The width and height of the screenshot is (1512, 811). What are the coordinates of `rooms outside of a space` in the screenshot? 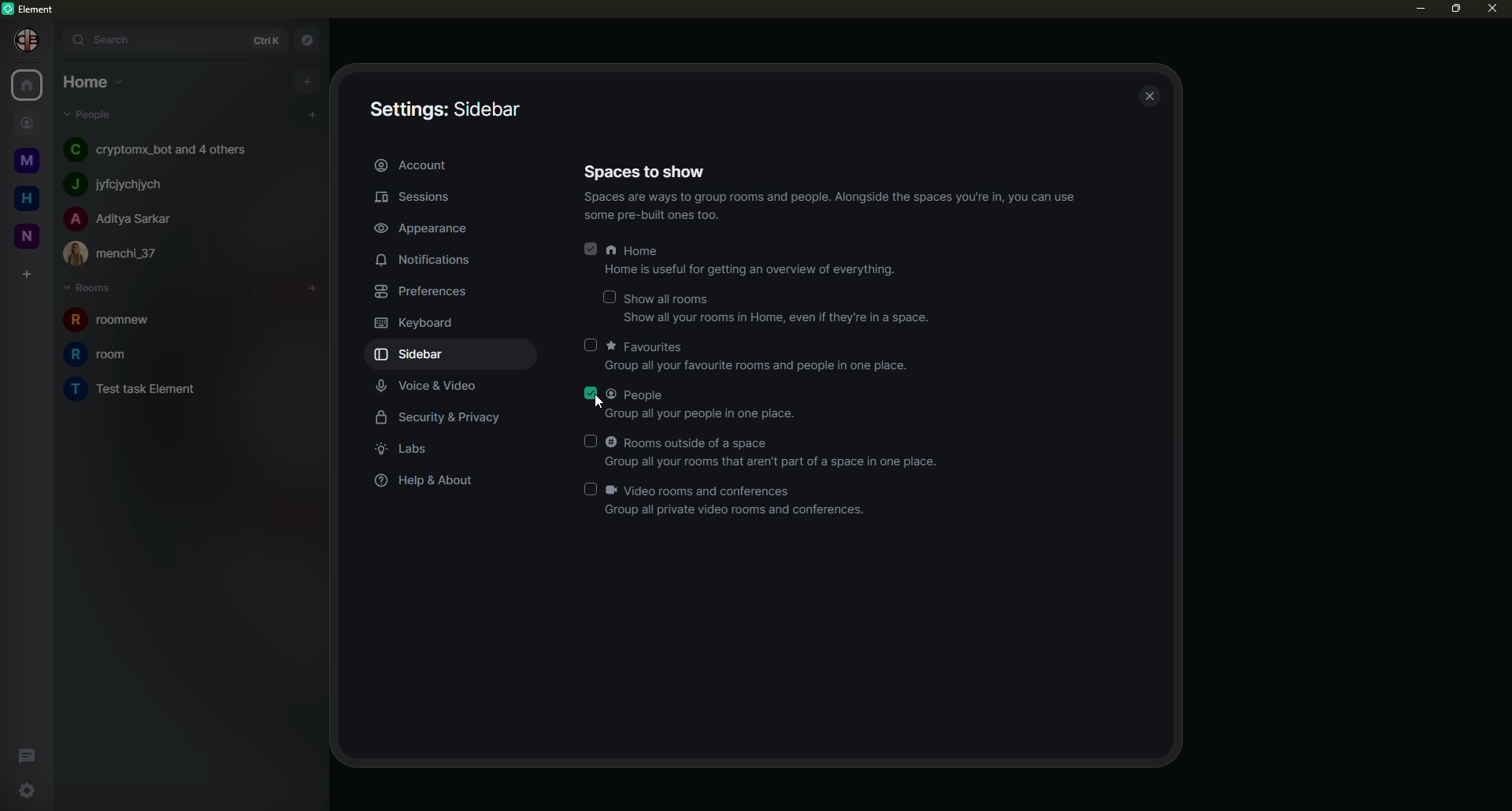 It's located at (777, 451).